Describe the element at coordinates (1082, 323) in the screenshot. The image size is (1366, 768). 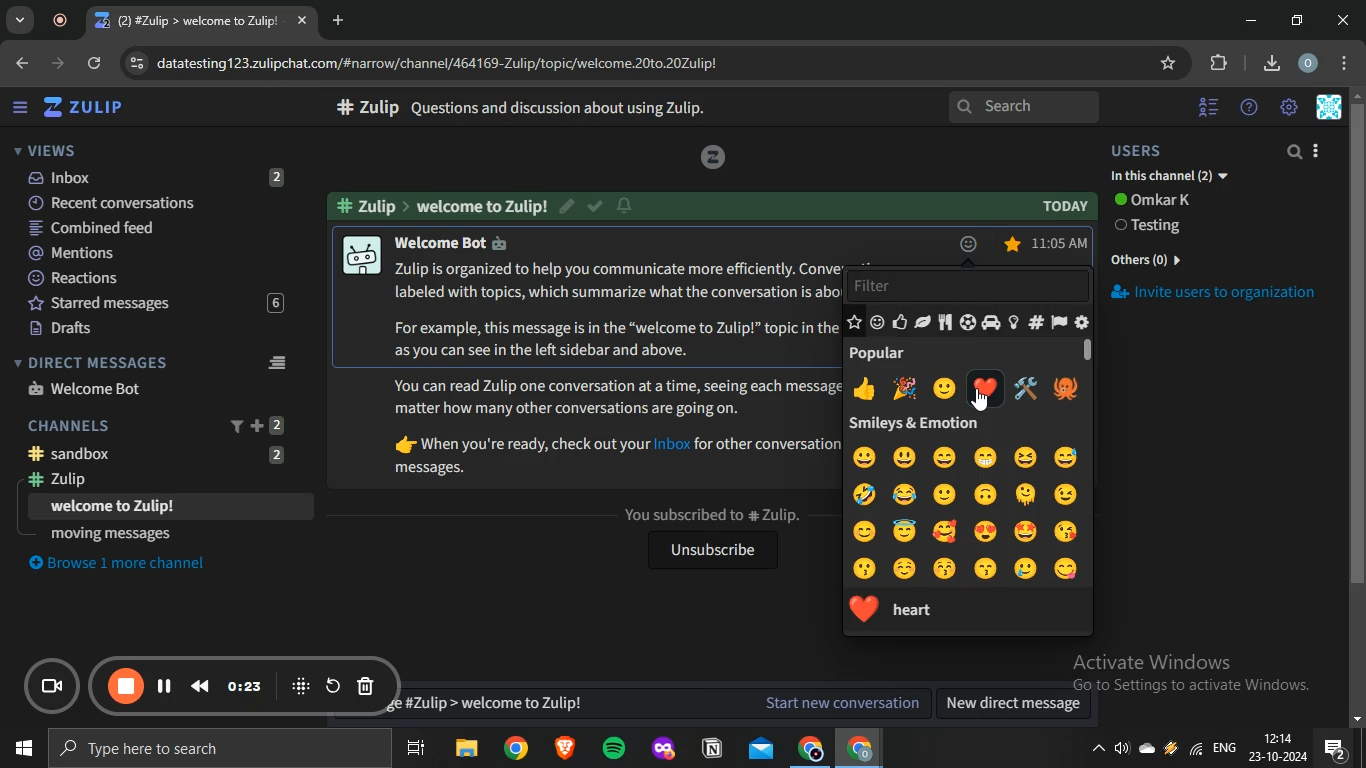
I see `custom` at that location.